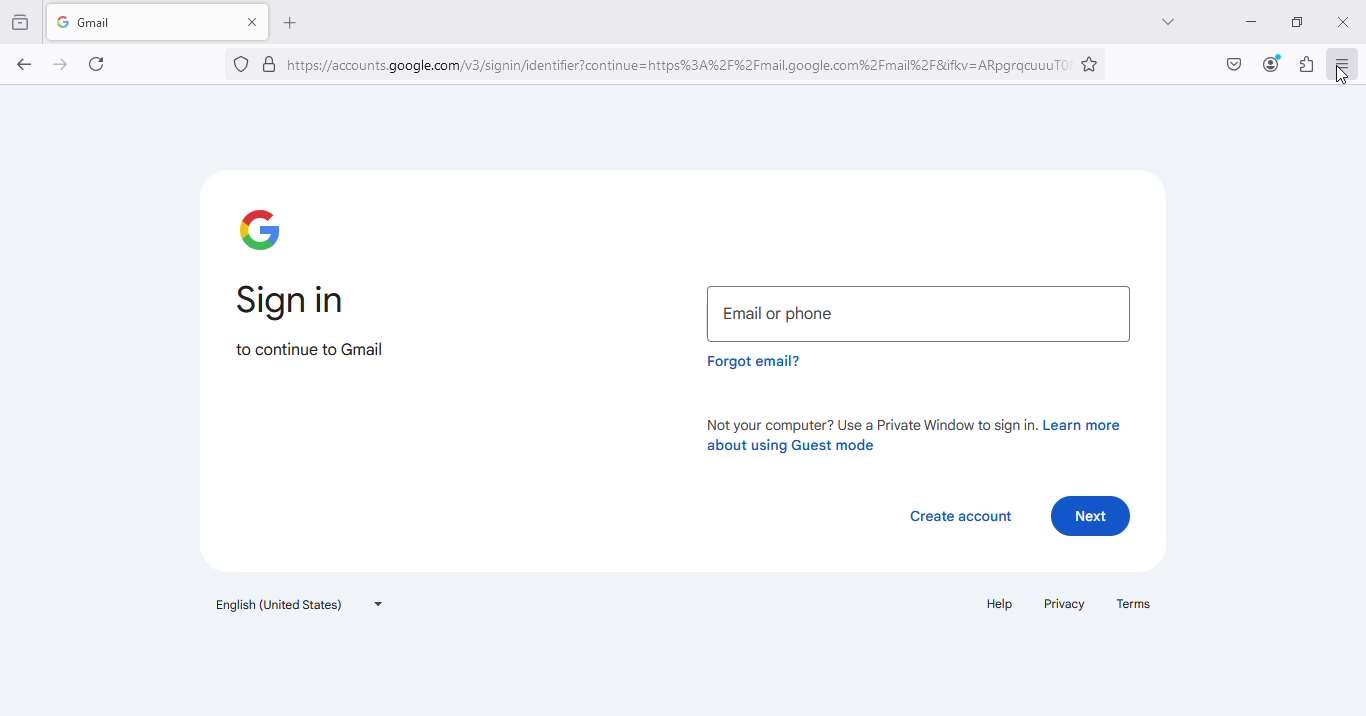 The width and height of the screenshot is (1366, 716). Describe the element at coordinates (309, 320) in the screenshot. I see `sign in to continue to Gmail` at that location.